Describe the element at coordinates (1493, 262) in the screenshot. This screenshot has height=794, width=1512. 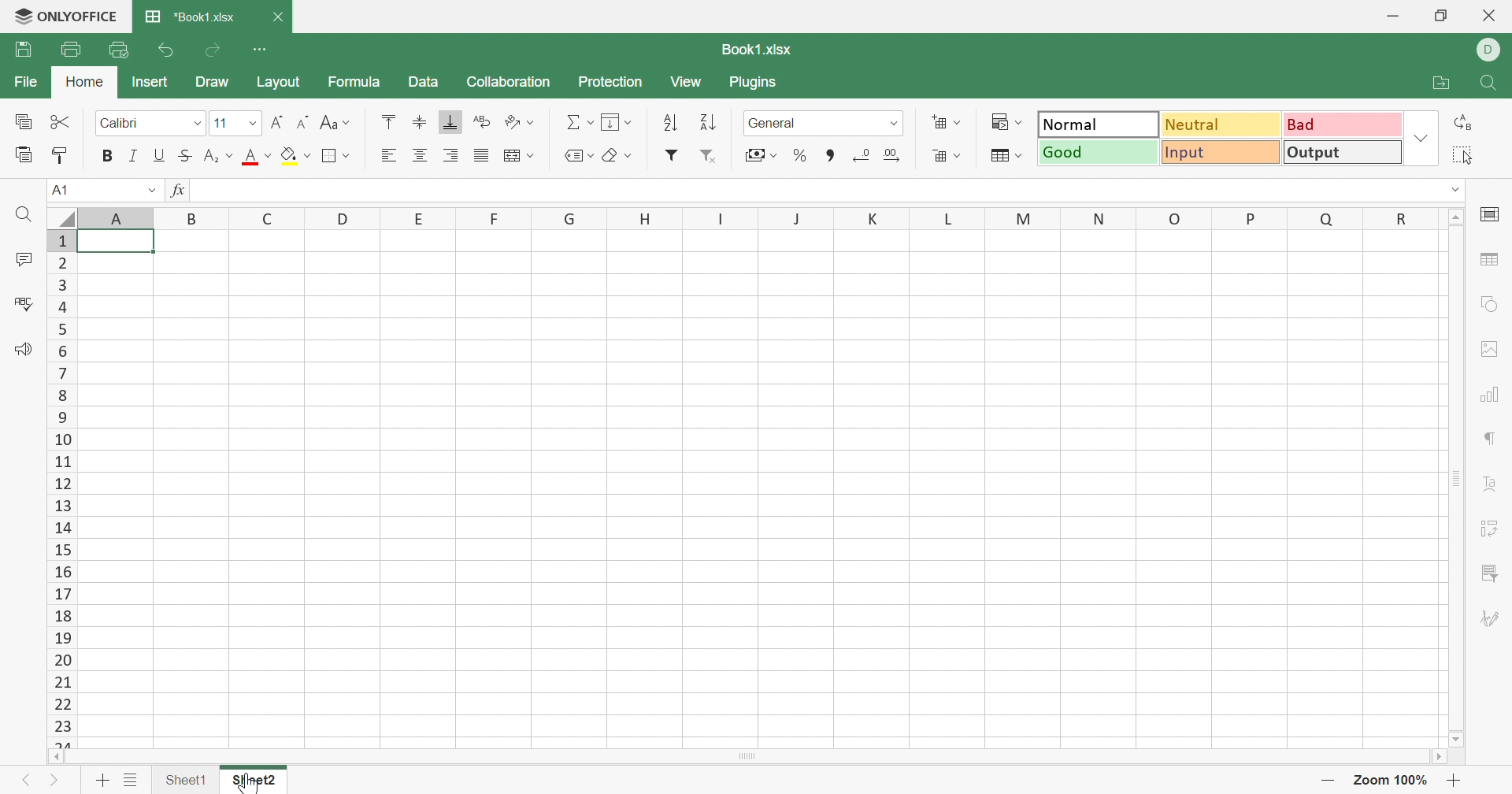
I see `table settings` at that location.